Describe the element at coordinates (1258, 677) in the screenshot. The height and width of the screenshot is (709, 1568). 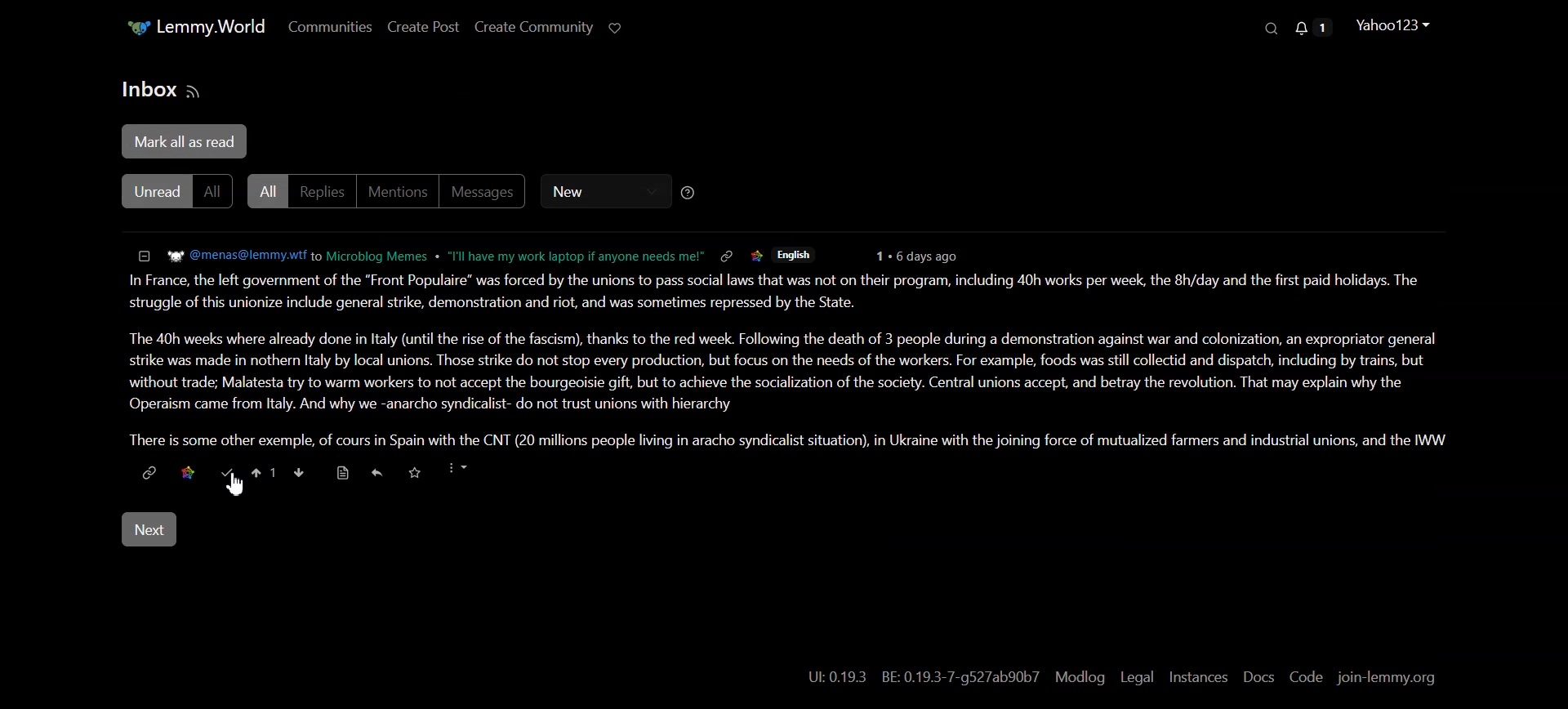
I see `Docs` at that location.